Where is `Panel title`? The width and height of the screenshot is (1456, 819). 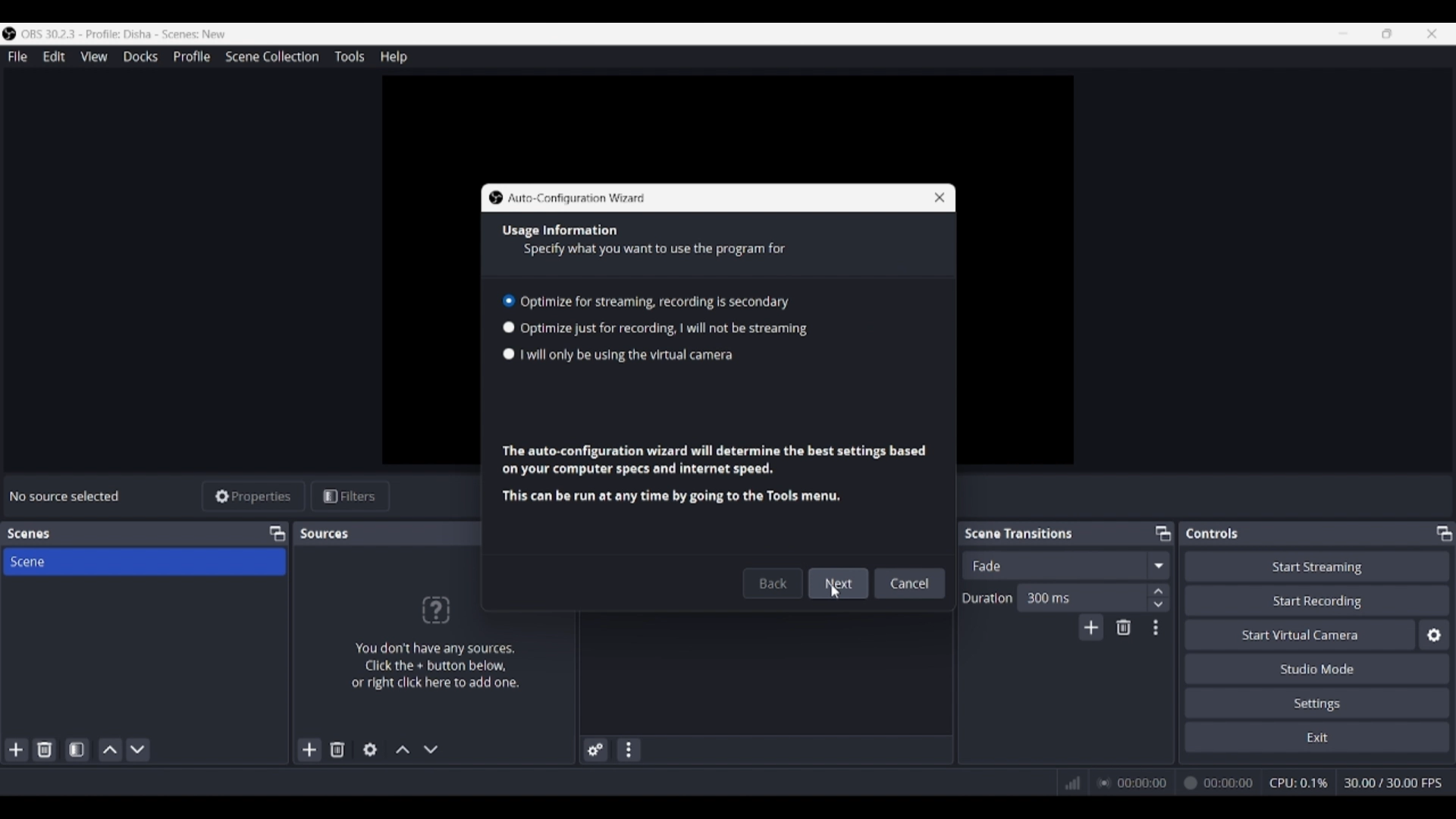 Panel title is located at coordinates (1213, 533).